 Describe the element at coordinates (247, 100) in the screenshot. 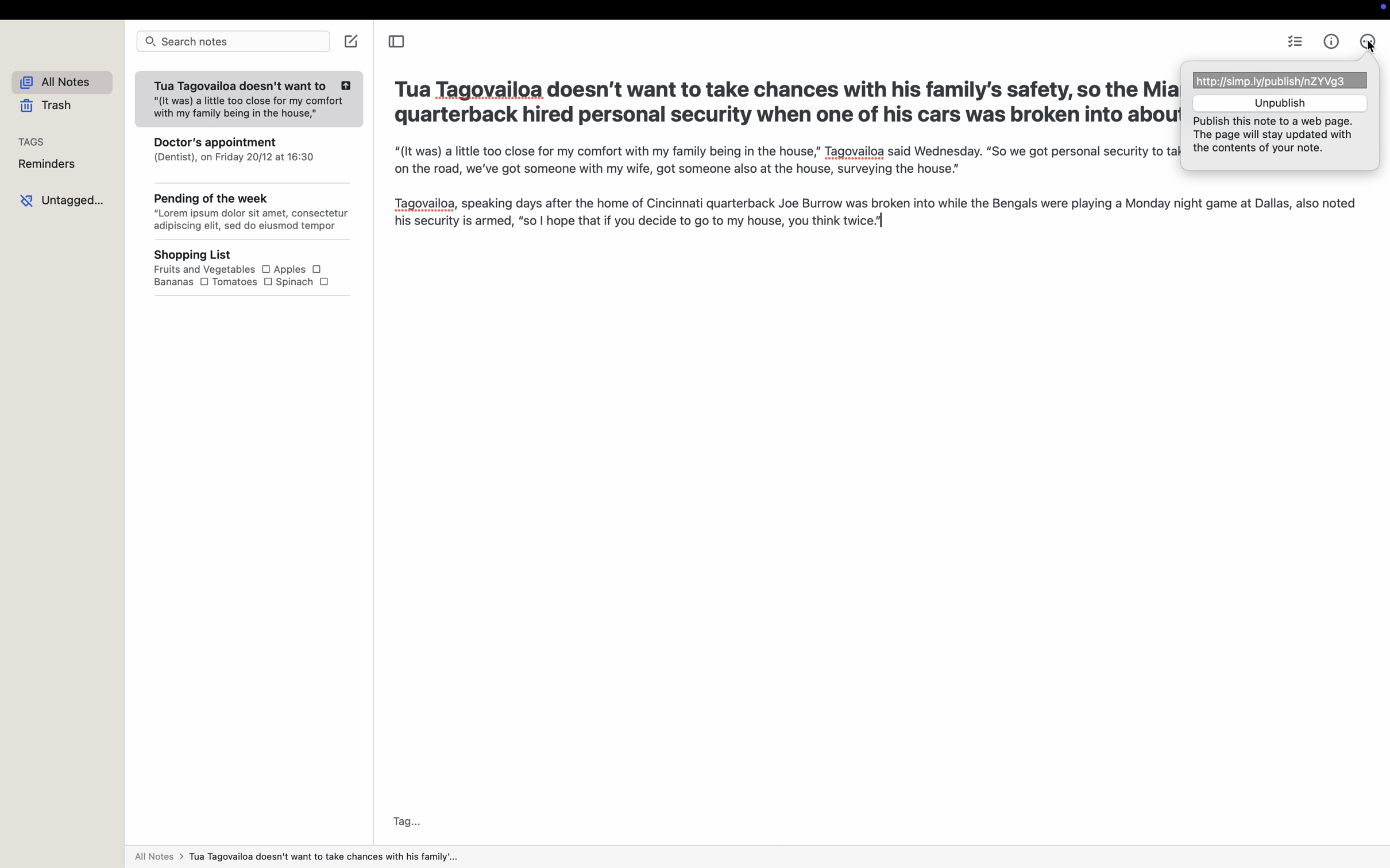

I see `Tua Tagovailoa doesn't want to
"(It was) a little too close for my comfort
with my family being in the house,"` at that location.